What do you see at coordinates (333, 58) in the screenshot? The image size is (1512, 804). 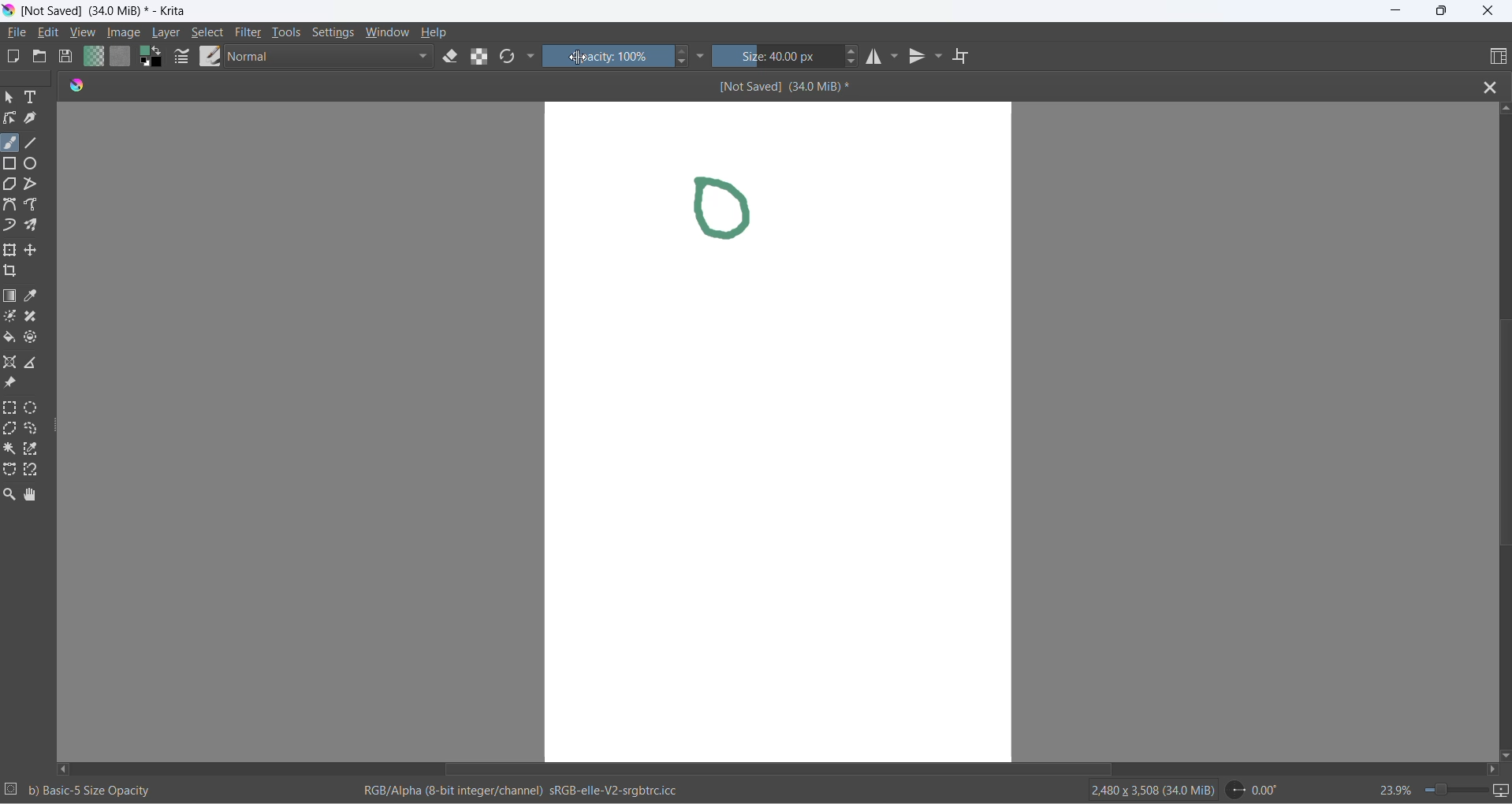 I see `blending mode` at bounding box center [333, 58].